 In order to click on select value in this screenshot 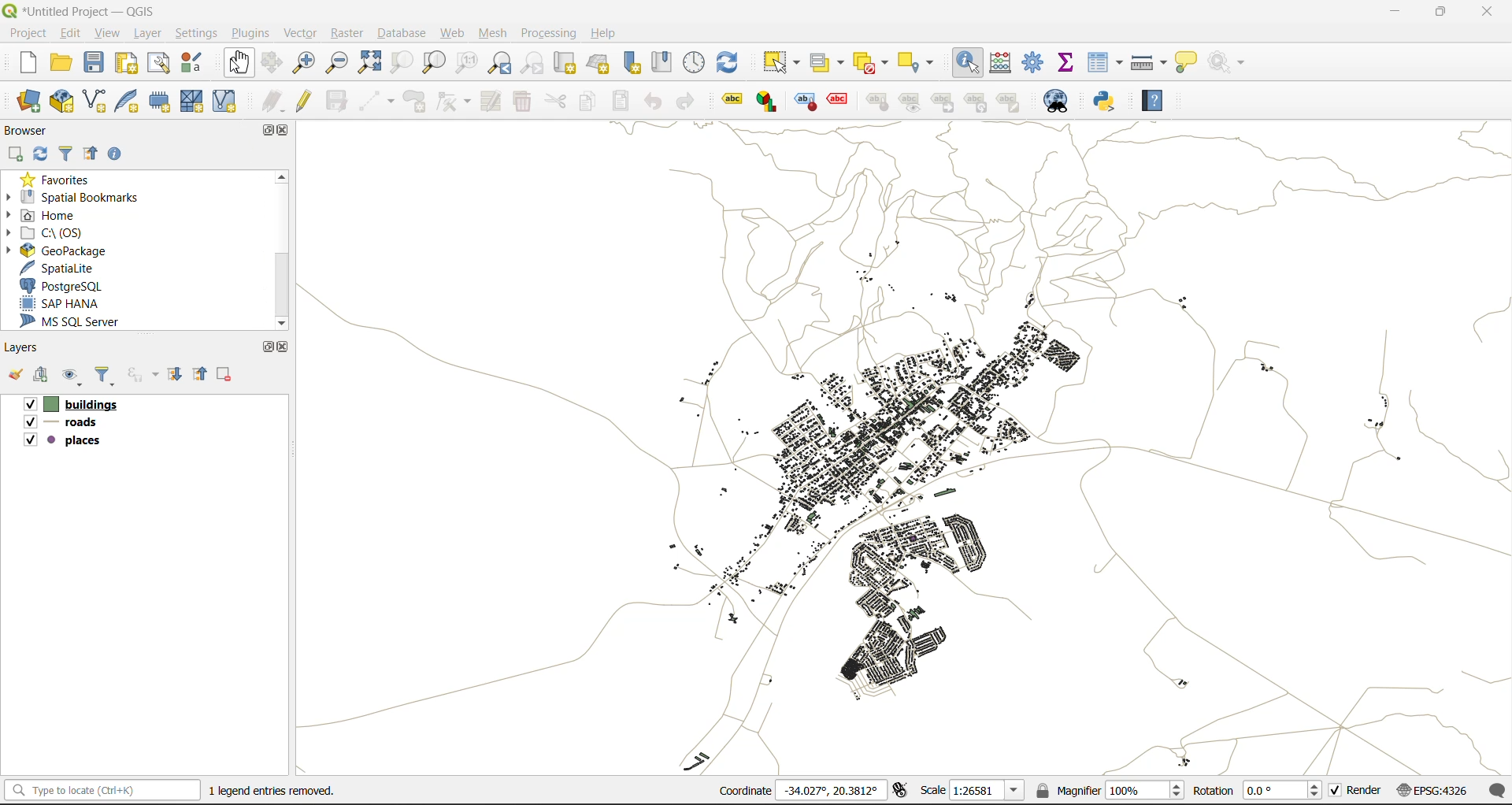, I will do `click(828, 61)`.